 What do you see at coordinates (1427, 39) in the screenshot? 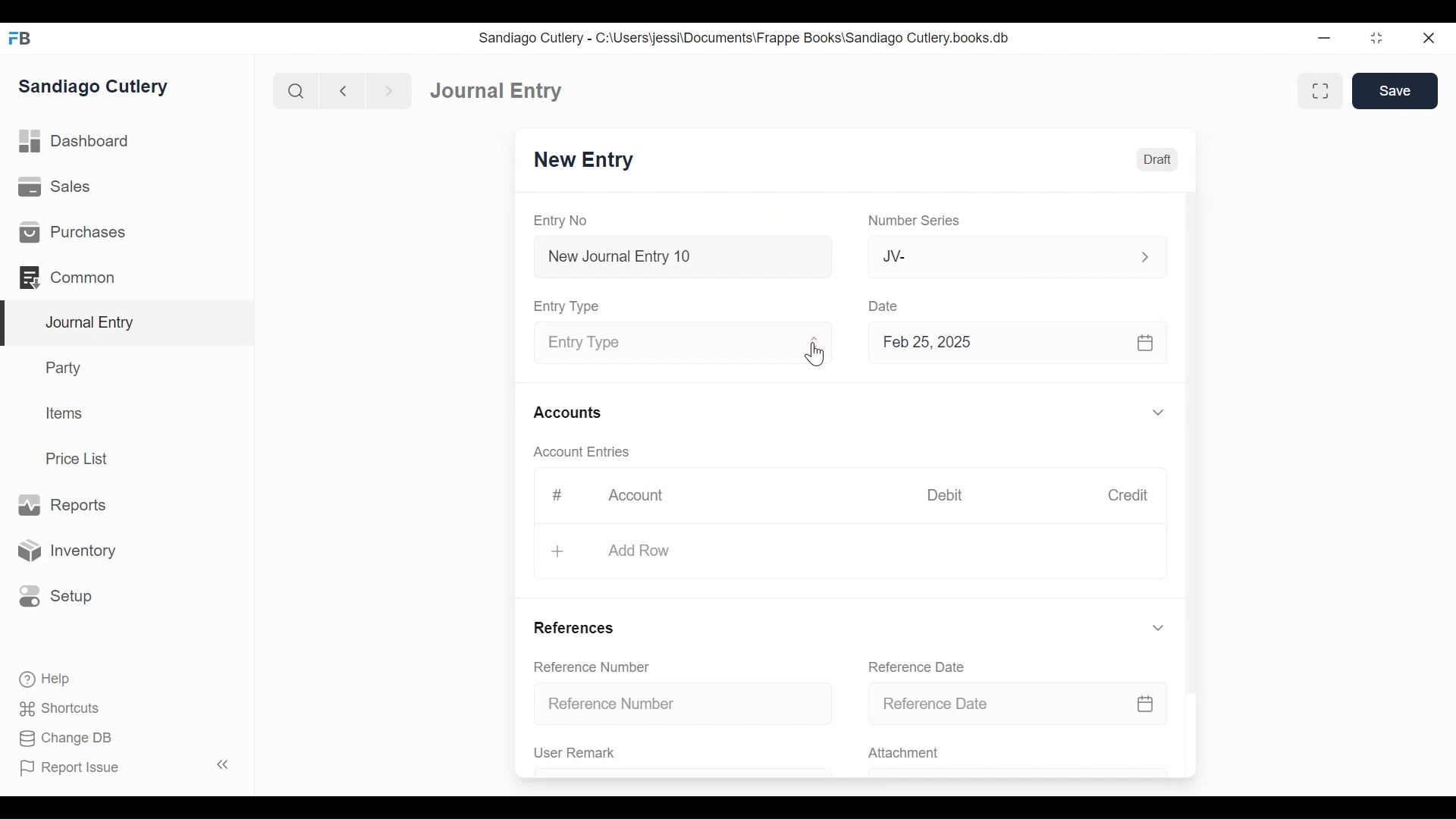
I see `Close` at bounding box center [1427, 39].